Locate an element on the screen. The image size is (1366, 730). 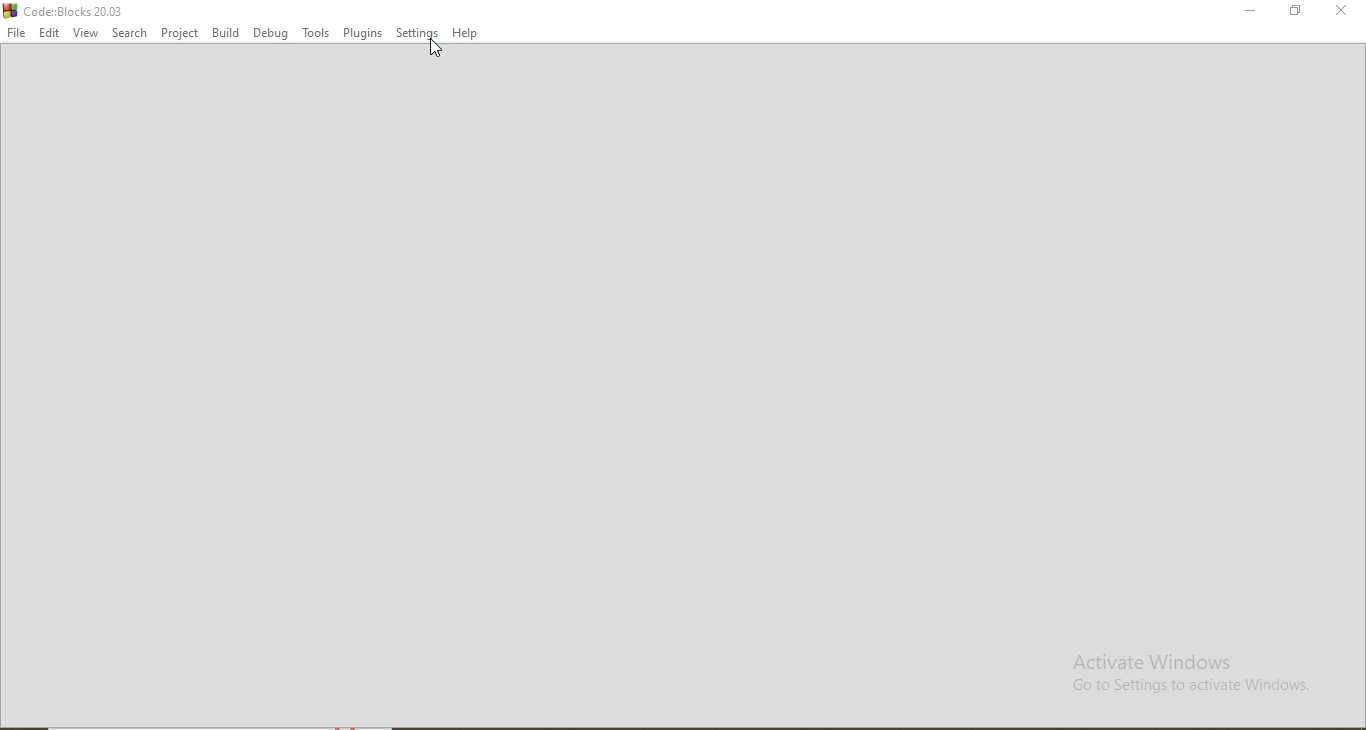
Close is located at coordinates (1342, 11).